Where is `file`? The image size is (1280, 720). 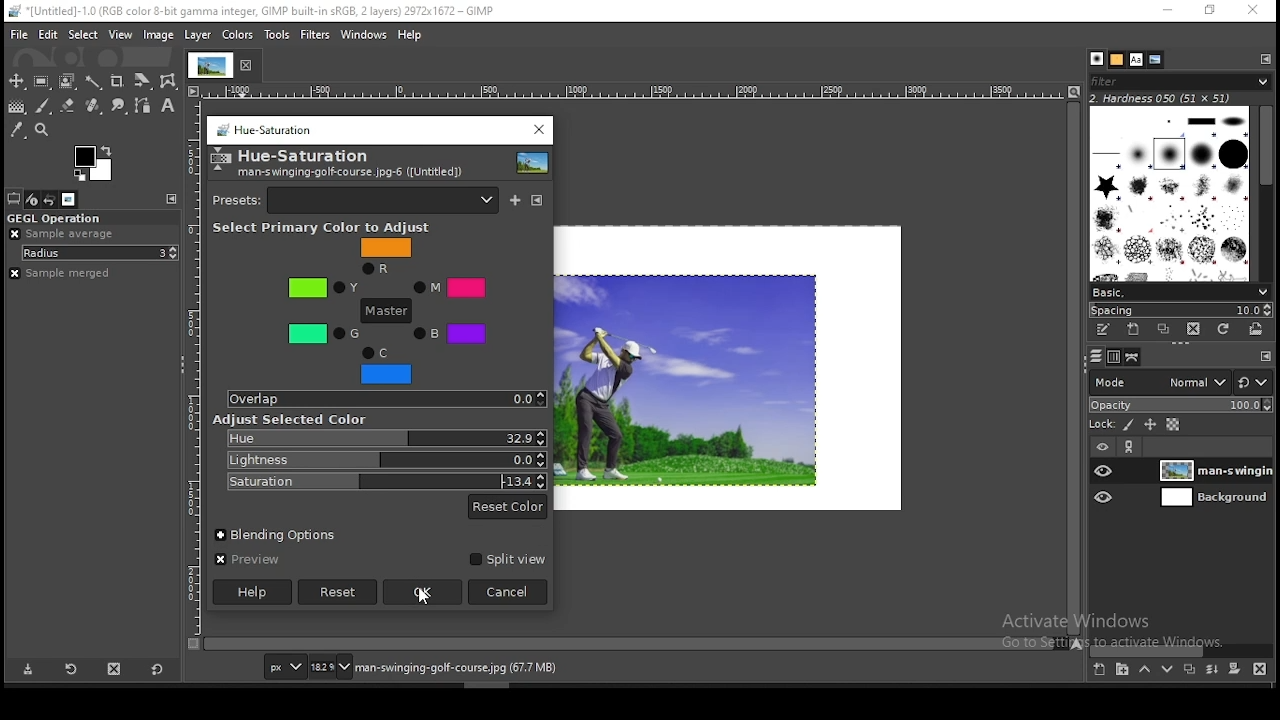 file is located at coordinates (20, 33).